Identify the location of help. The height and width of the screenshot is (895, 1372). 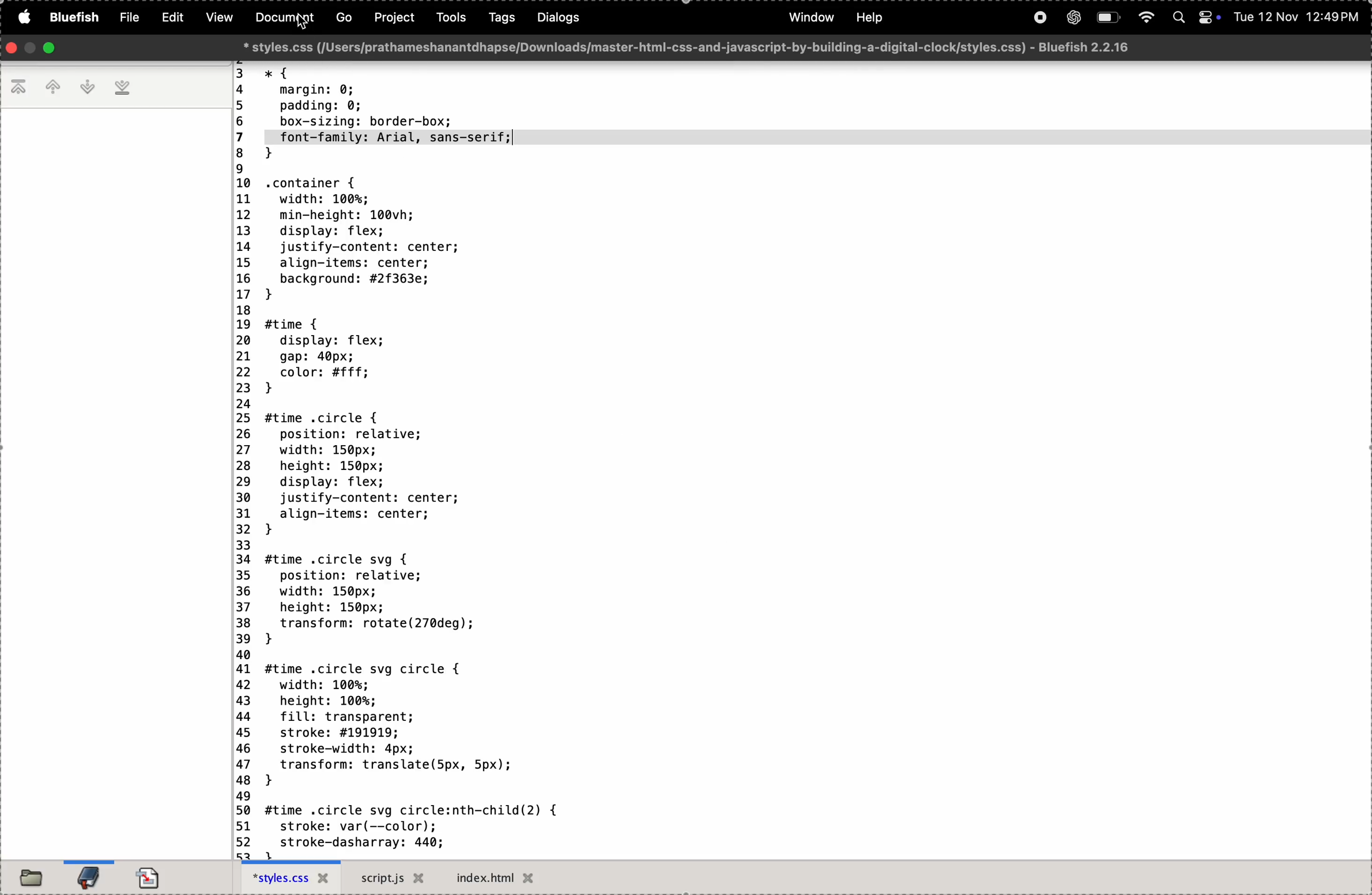
(870, 17).